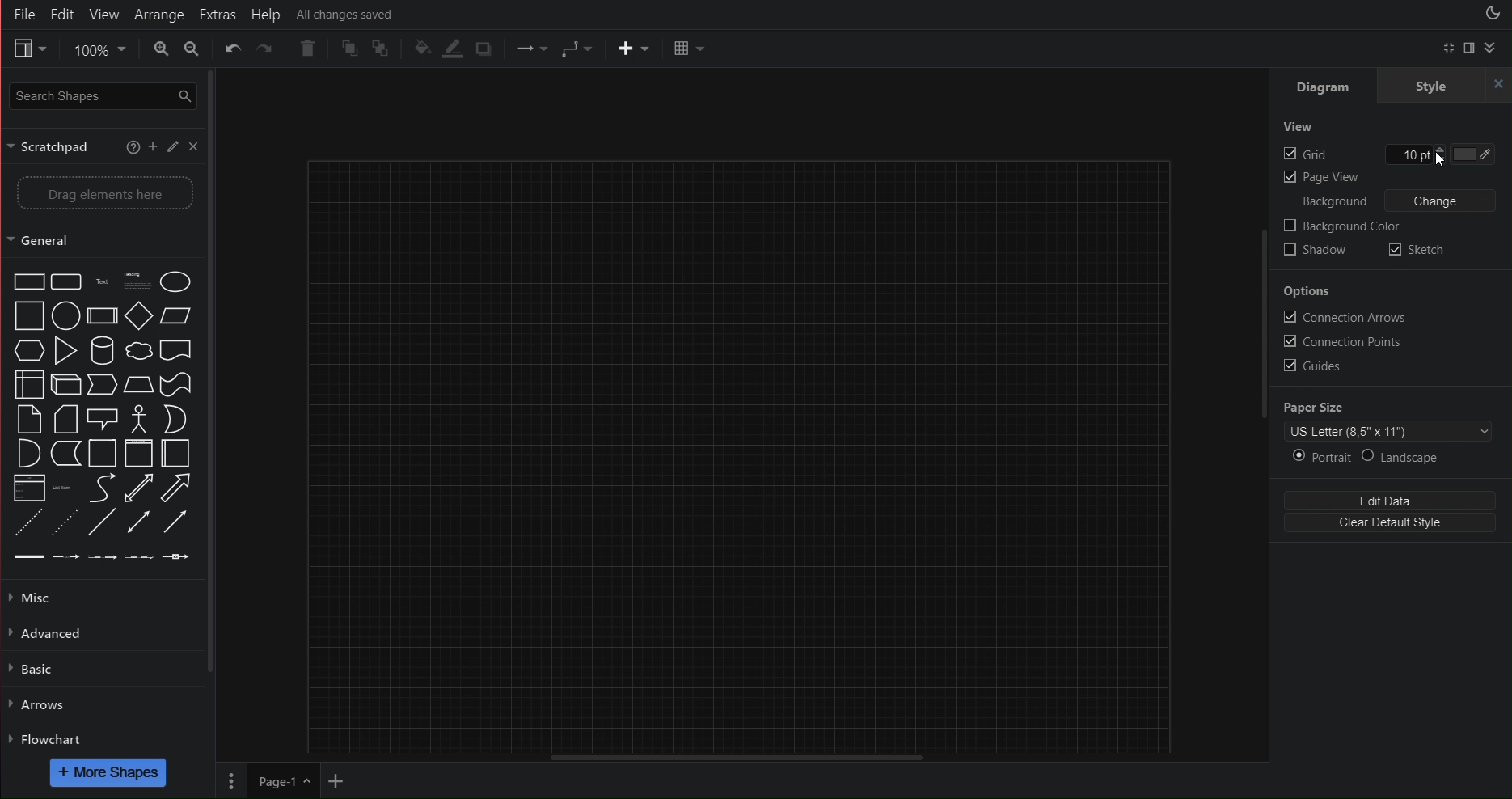  Describe the element at coordinates (175, 414) in the screenshot. I see `curve moon` at that location.